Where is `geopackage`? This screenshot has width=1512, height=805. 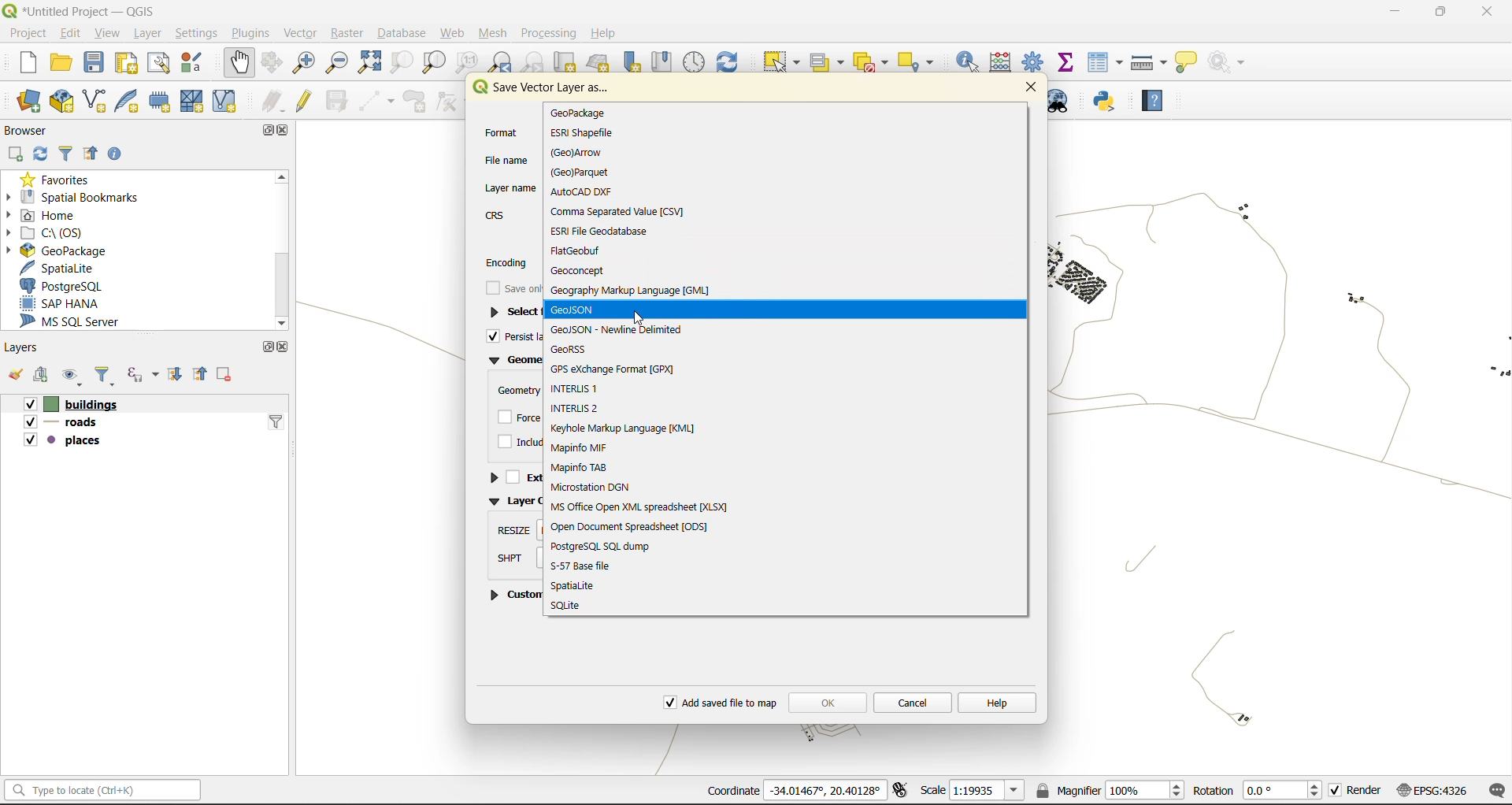
geopackage is located at coordinates (72, 252).